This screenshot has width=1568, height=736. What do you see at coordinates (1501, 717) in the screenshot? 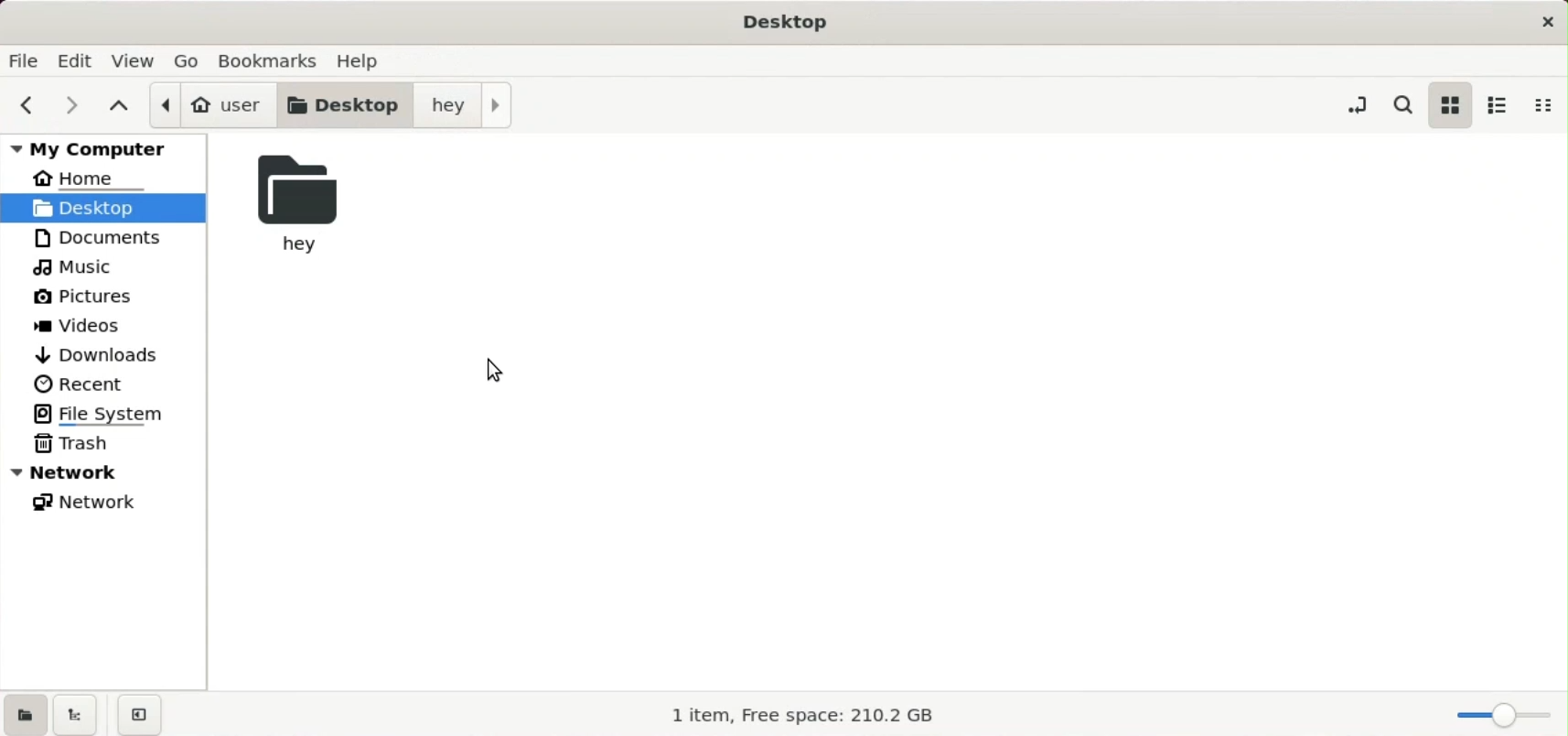
I see `zoom` at bounding box center [1501, 717].